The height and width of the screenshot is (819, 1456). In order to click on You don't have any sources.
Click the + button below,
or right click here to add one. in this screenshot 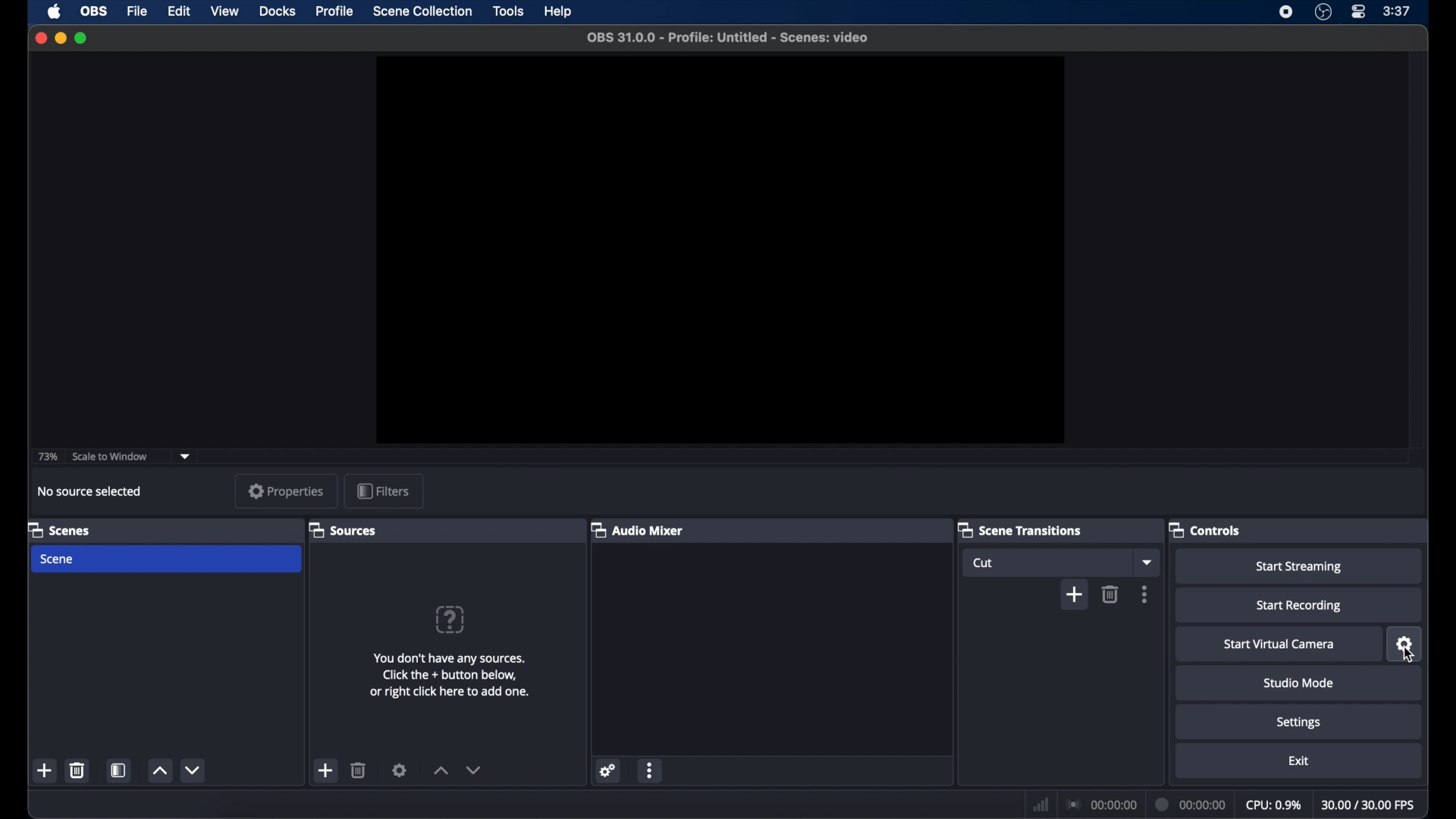, I will do `click(451, 682)`.